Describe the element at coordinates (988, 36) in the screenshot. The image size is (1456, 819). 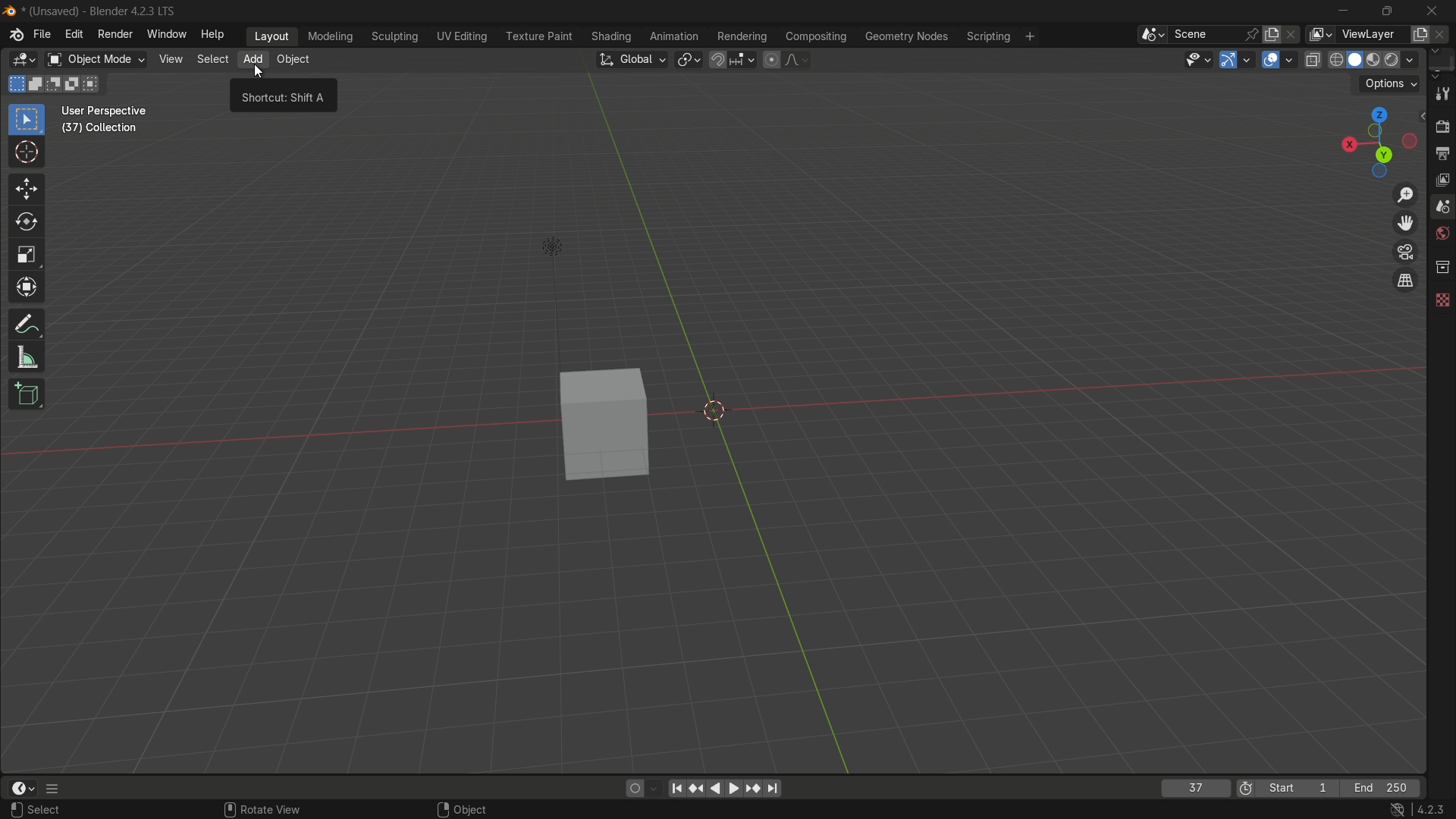
I see `scripting menu` at that location.